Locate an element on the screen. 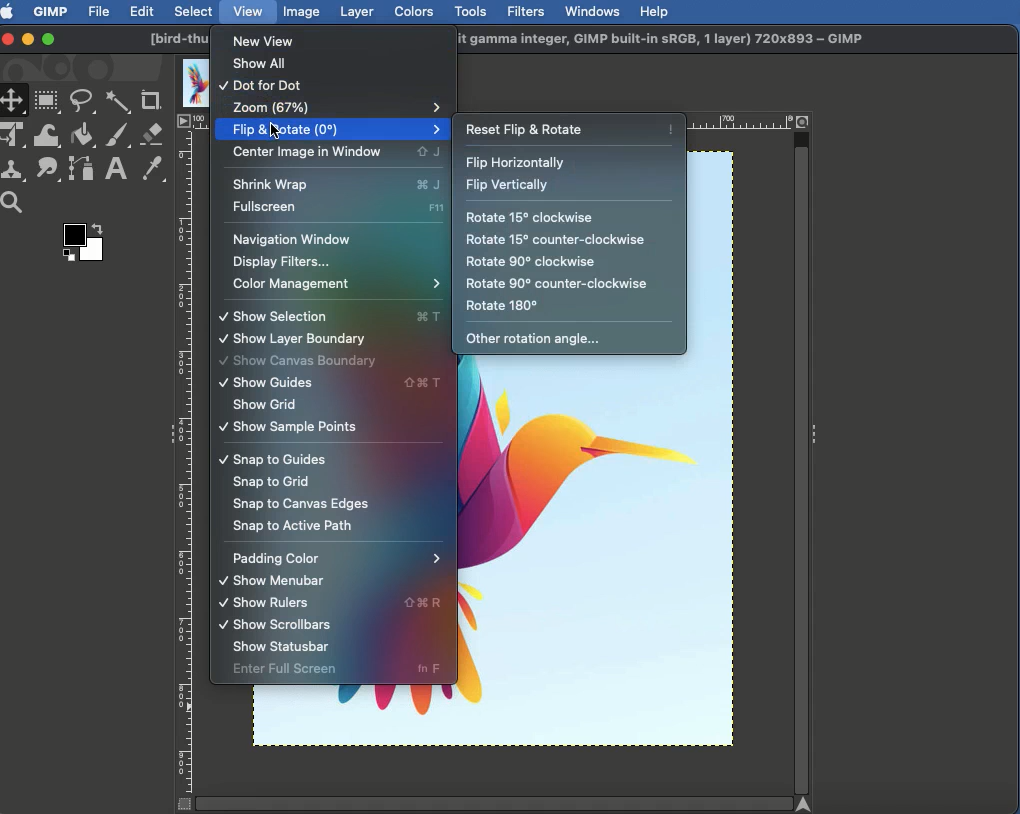 This screenshot has height=814, width=1020. Paint is located at coordinates (116, 137).